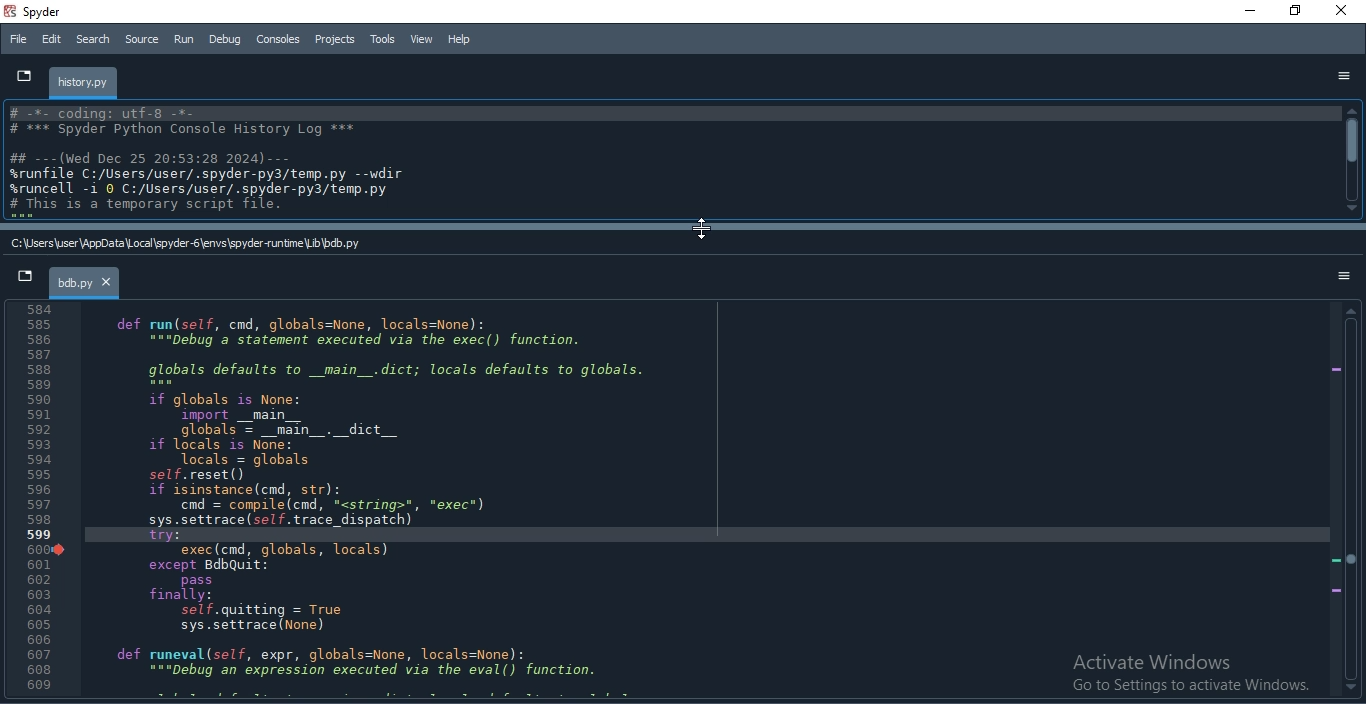 The height and width of the screenshot is (704, 1366). Describe the element at coordinates (458, 38) in the screenshot. I see `Help` at that location.